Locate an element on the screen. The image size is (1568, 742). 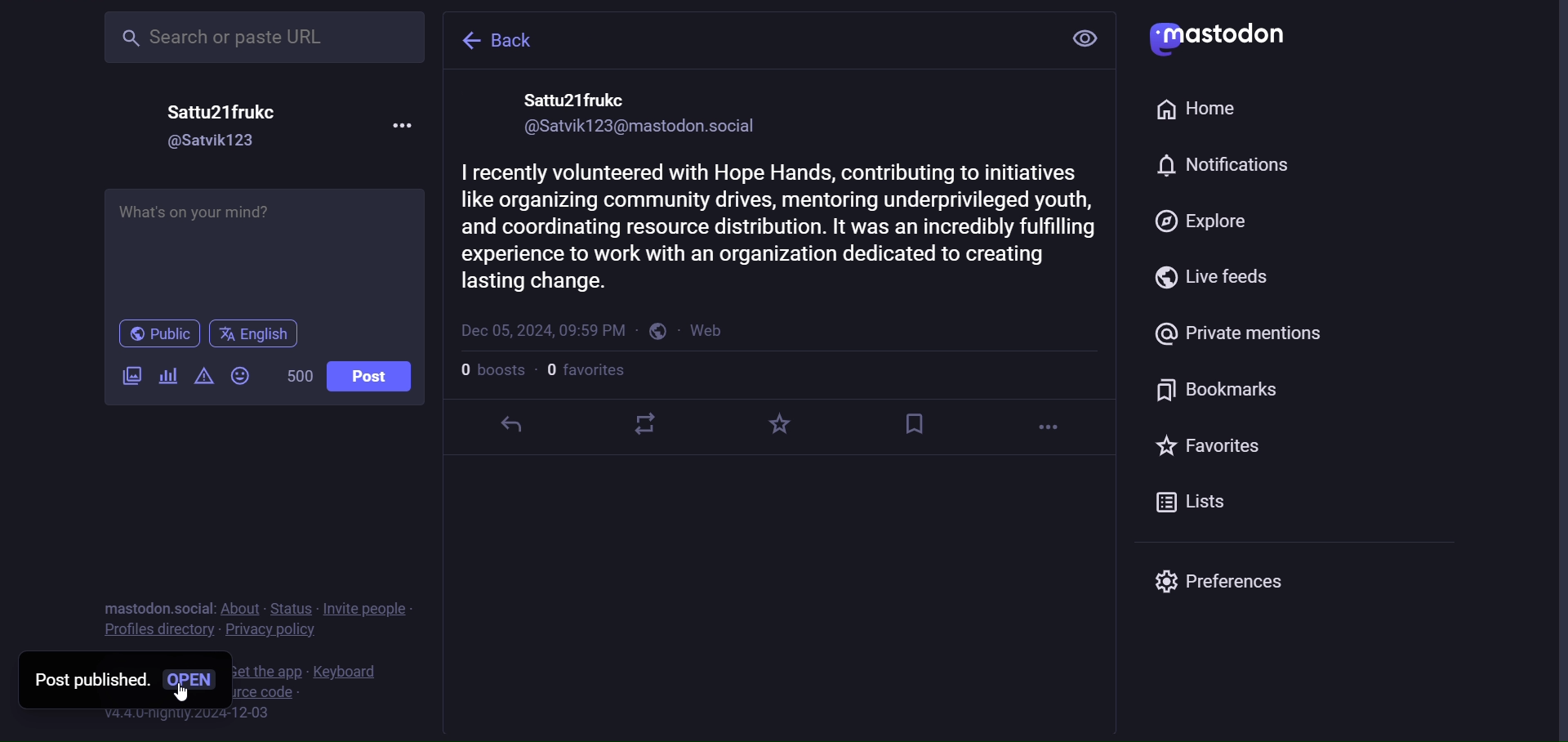
view is located at coordinates (1089, 37).